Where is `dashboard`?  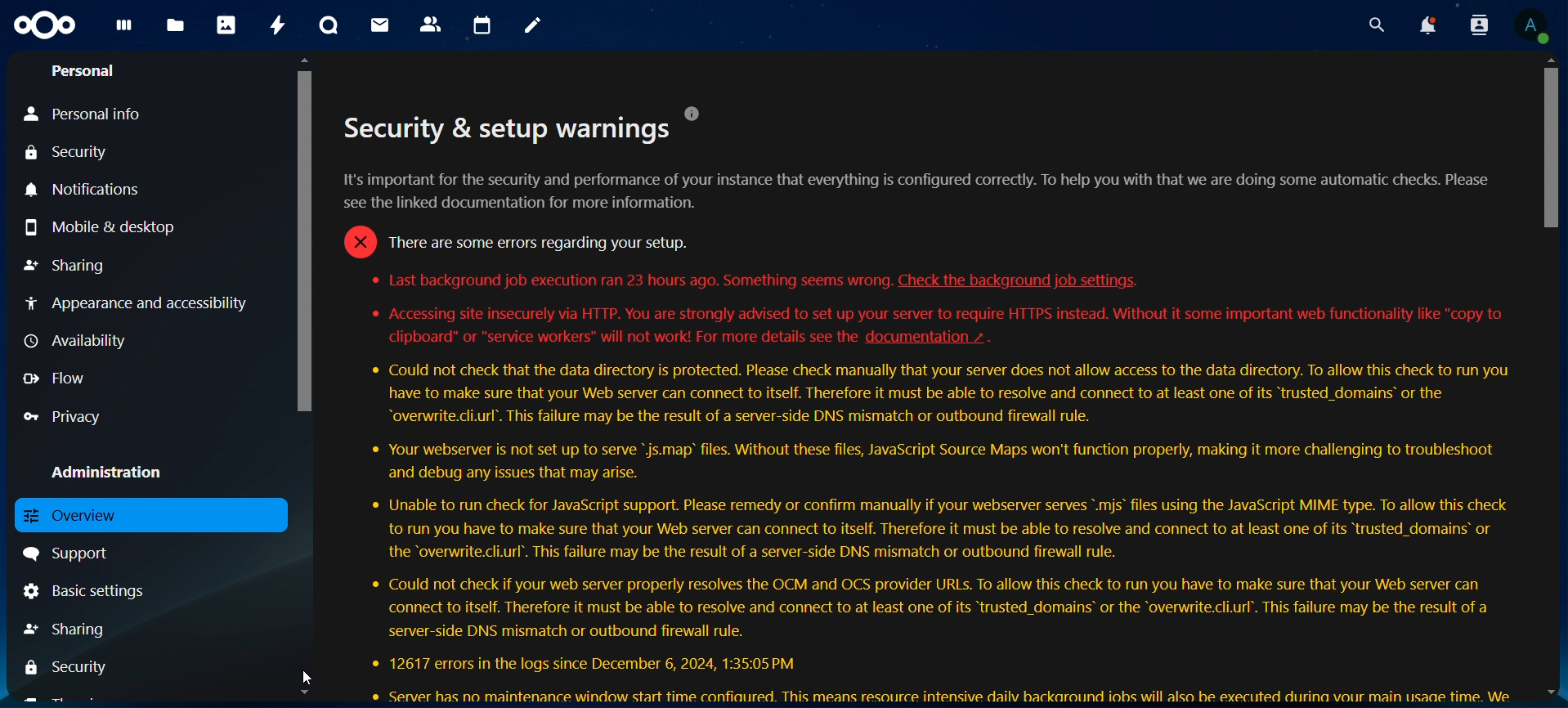 dashboard is located at coordinates (125, 29).